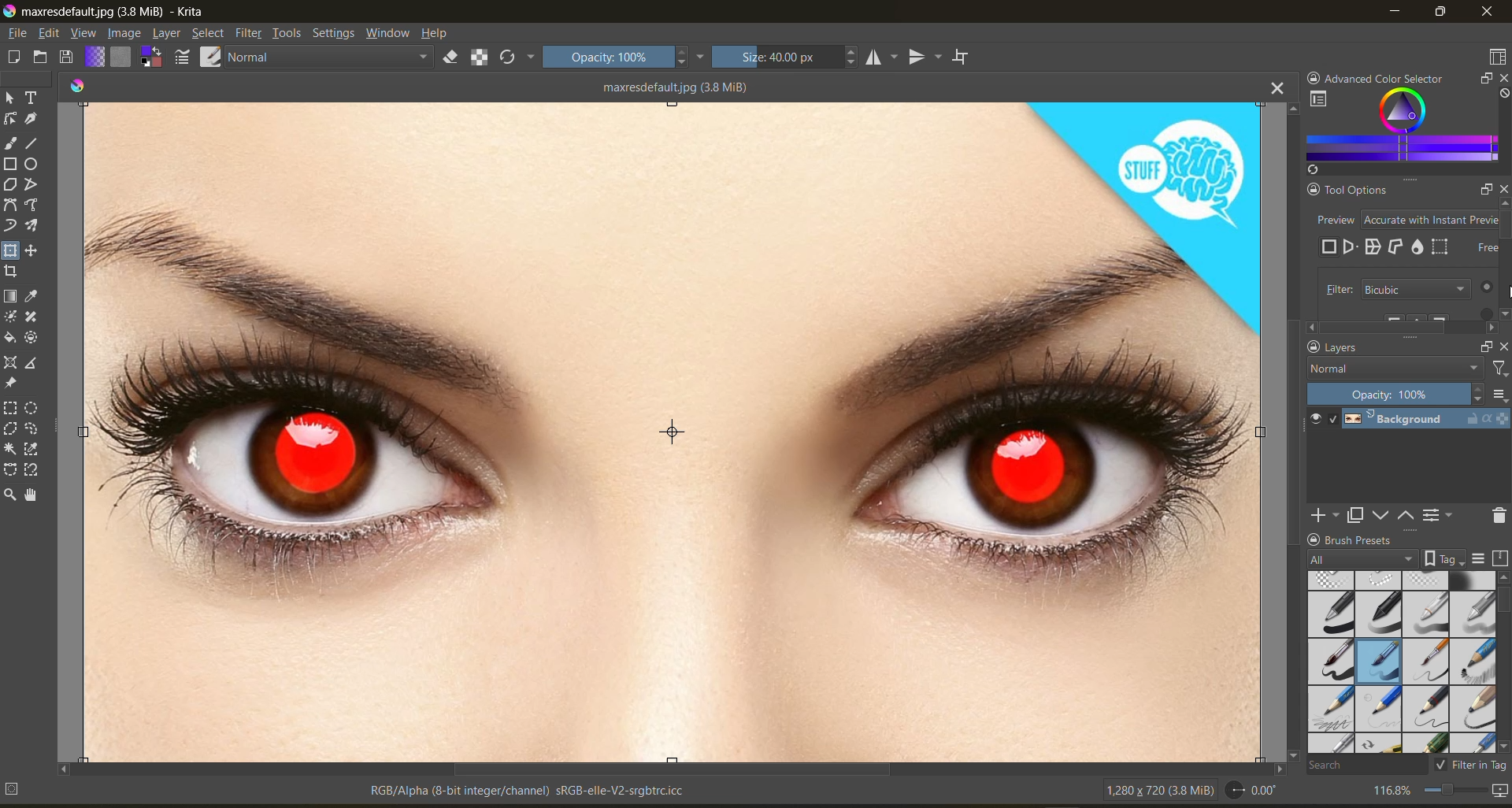 This screenshot has height=808, width=1512. What do you see at coordinates (1404, 514) in the screenshot?
I see `mask up` at bounding box center [1404, 514].